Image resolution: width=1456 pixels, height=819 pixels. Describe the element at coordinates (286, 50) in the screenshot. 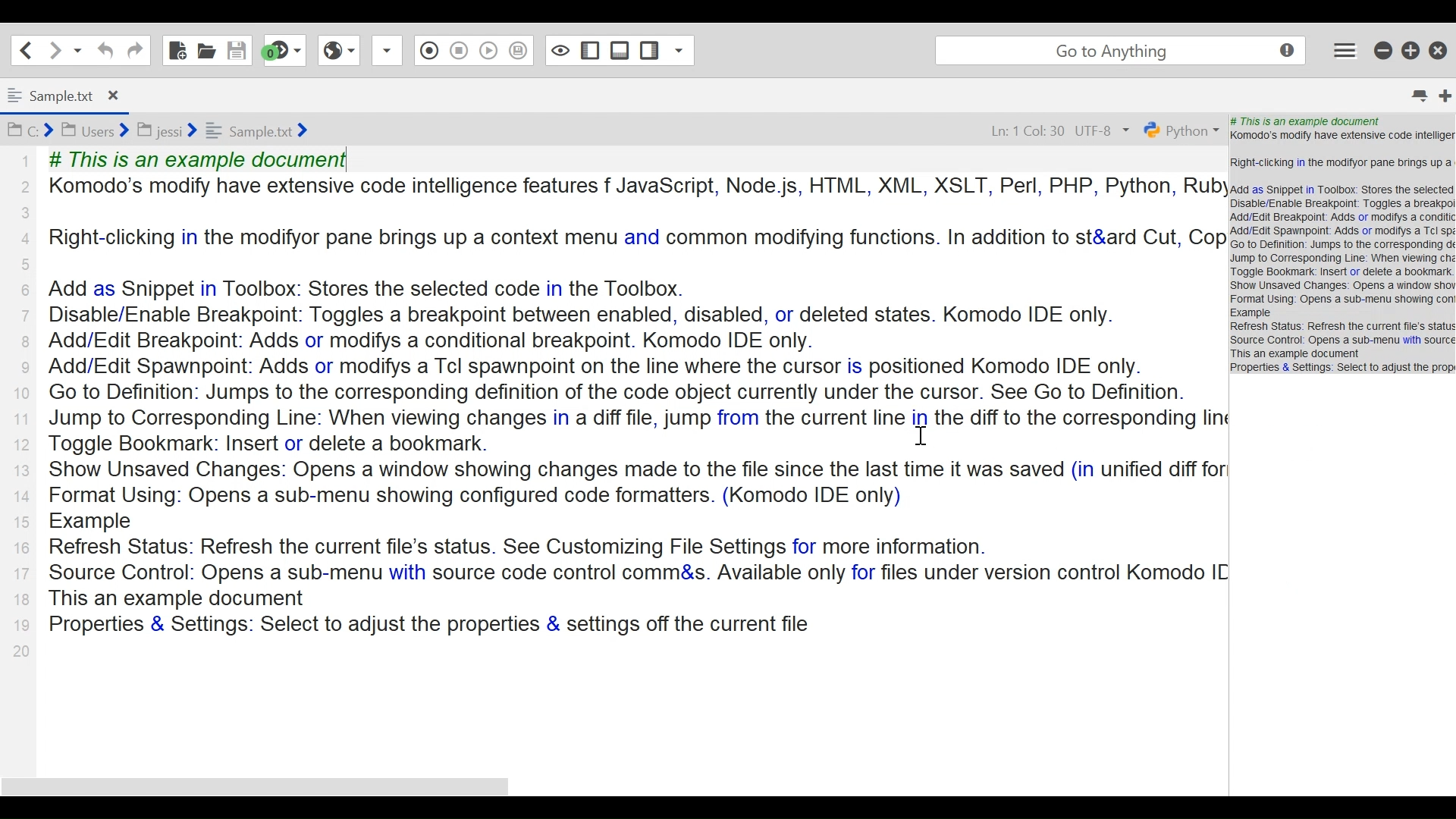

I see `Jump to the next syntax checking result` at that location.